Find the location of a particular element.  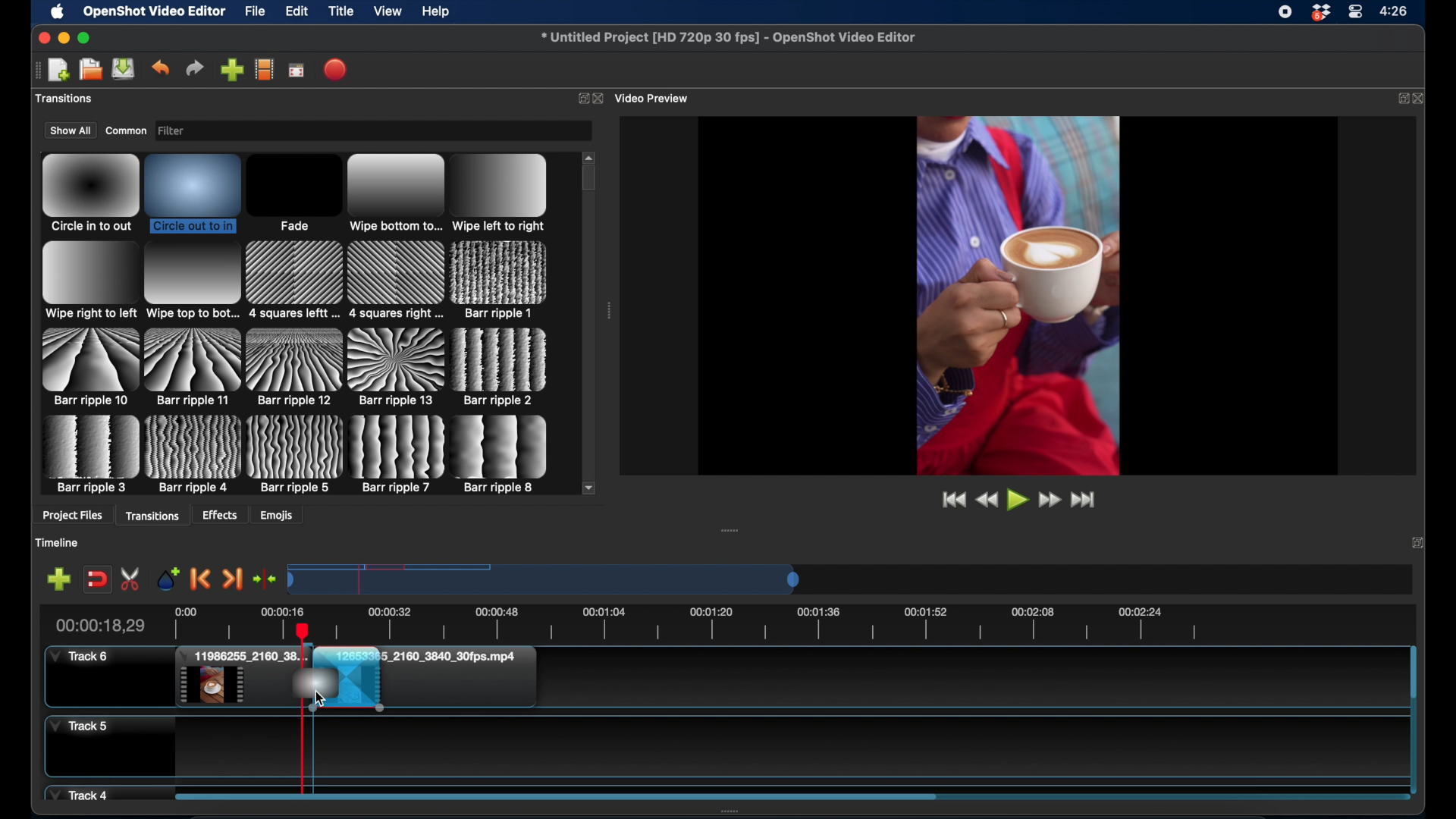

previous marker is located at coordinates (202, 580).